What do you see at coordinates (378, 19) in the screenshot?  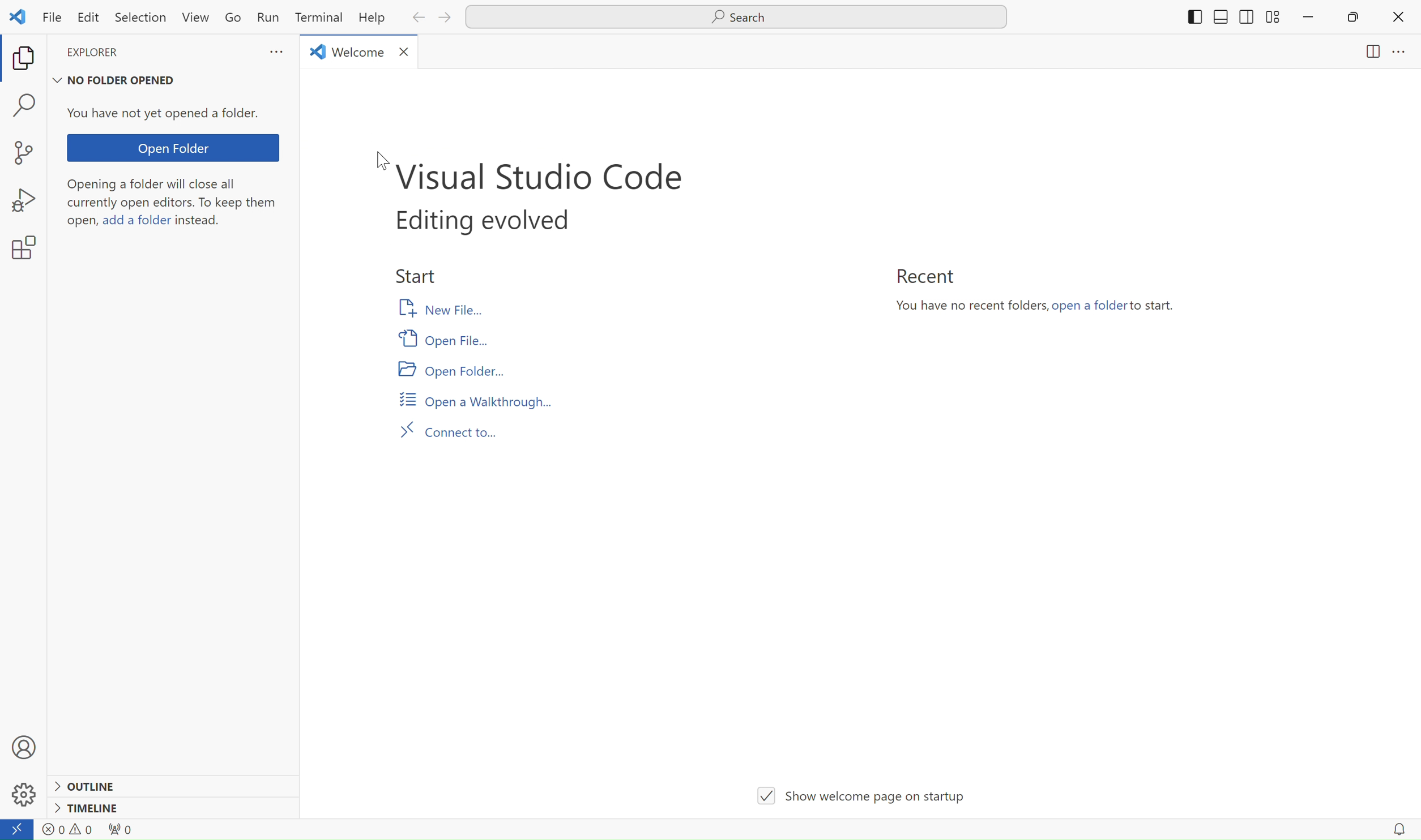 I see `Help` at bounding box center [378, 19].